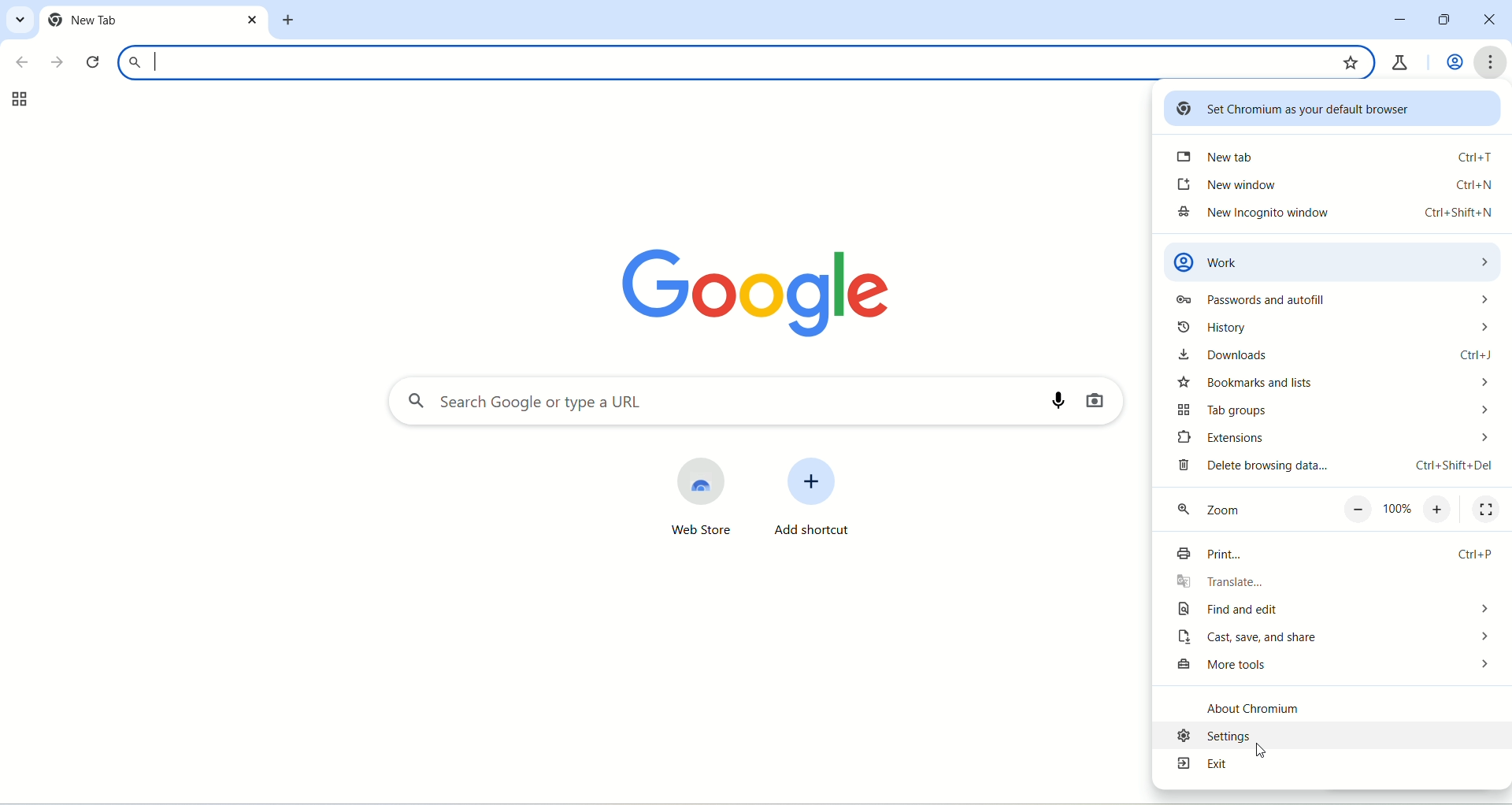 This screenshot has width=1512, height=805. I want to click on tab groups, so click(15, 100).